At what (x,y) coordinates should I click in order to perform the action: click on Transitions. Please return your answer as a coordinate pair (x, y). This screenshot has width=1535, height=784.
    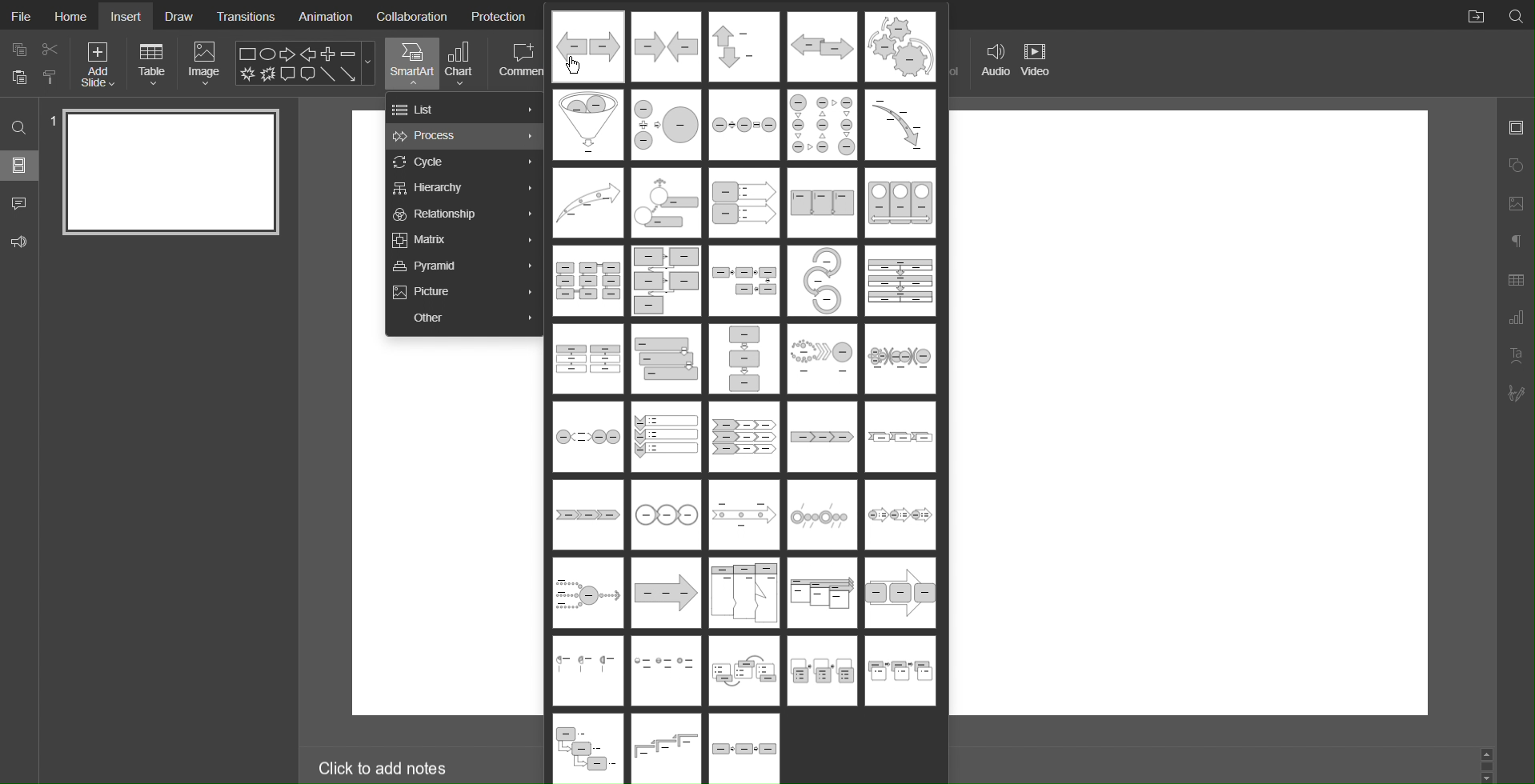
    Looking at the image, I should click on (246, 15).